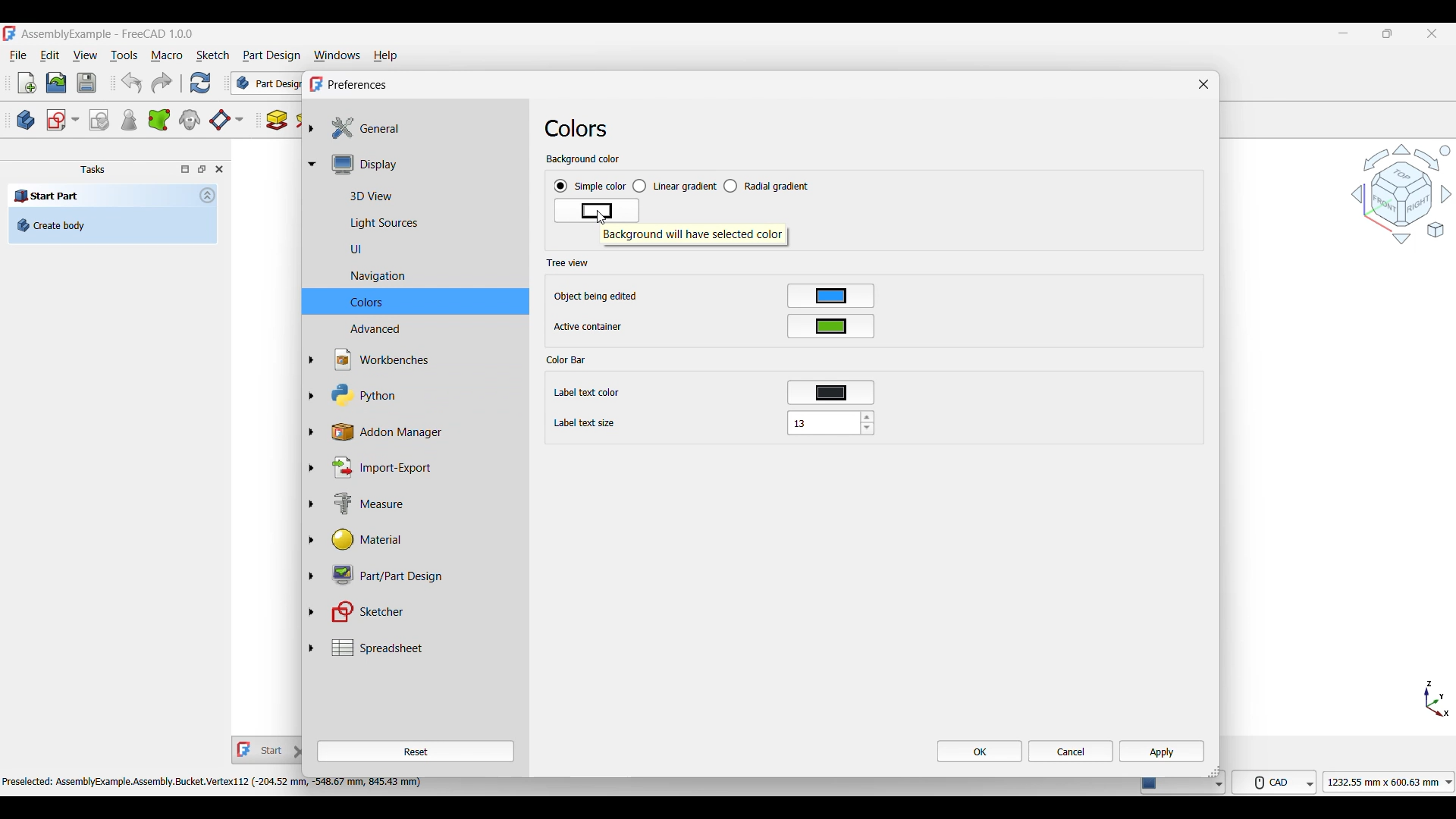  Describe the element at coordinates (1392, 782) in the screenshot. I see ` 1232.55 mmx 600.63 mm` at that location.